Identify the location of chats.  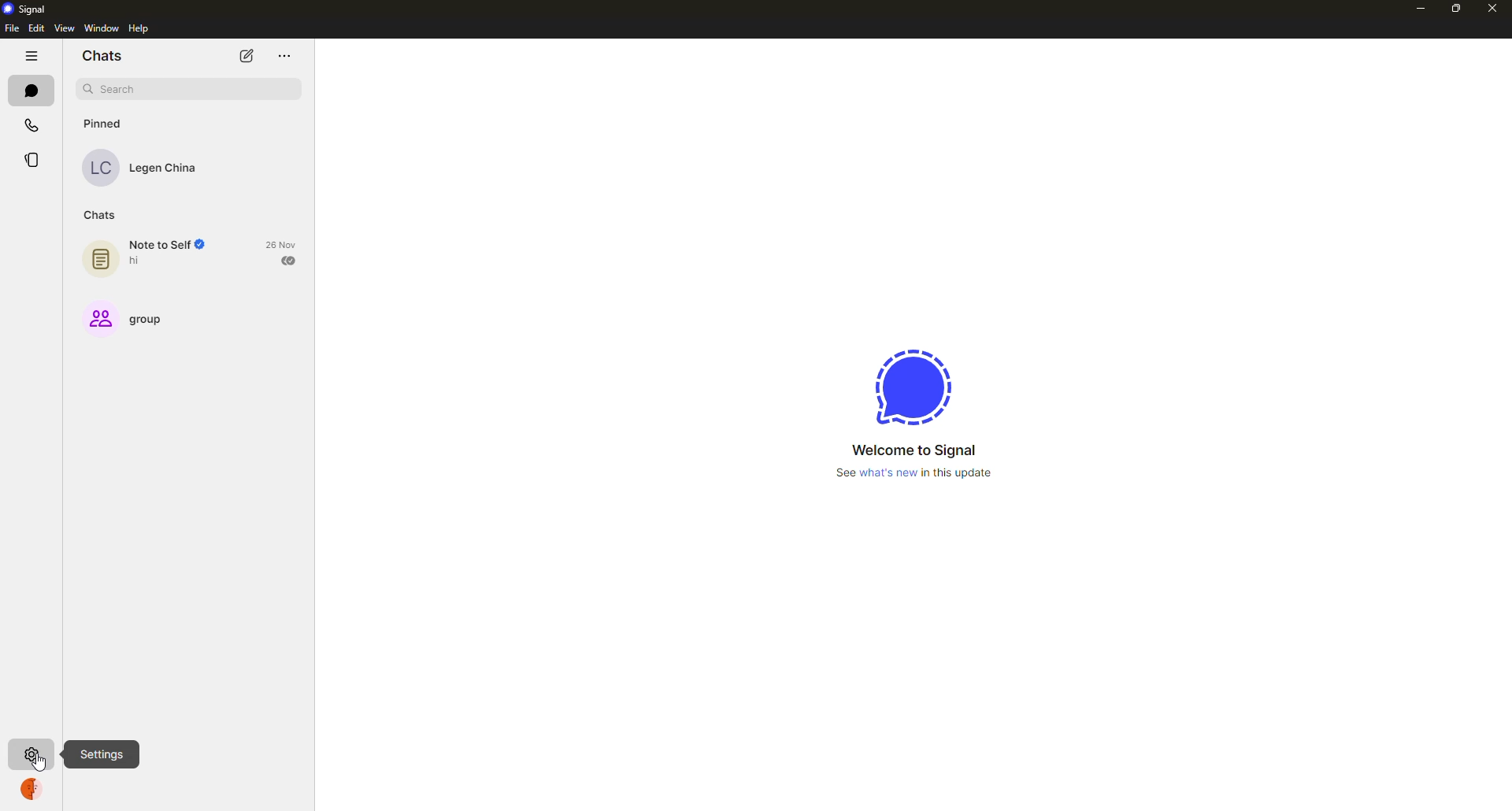
(31, 92).